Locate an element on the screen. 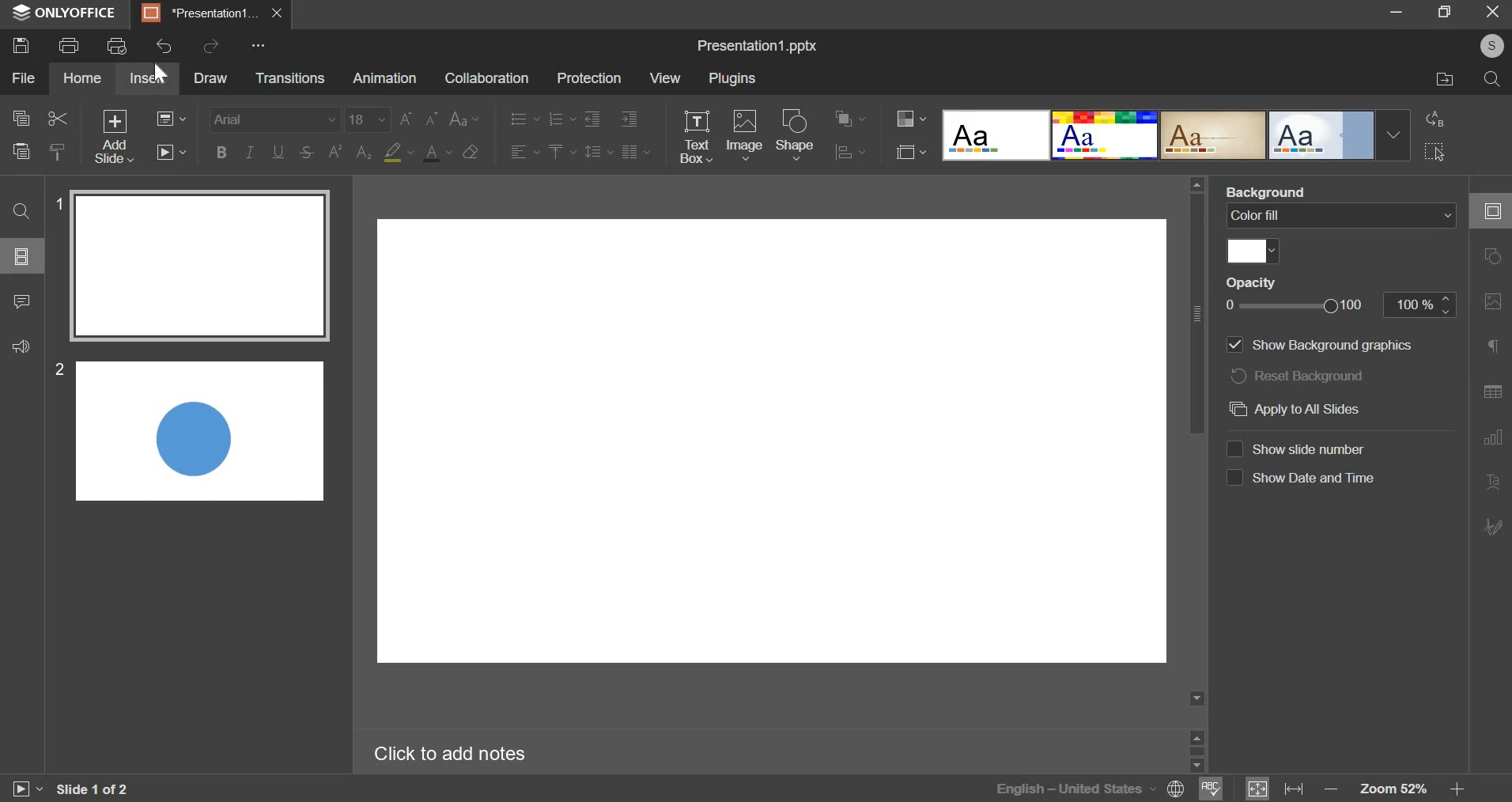 The image size is (1512, 802). shape is located at coordinates (797, 134).